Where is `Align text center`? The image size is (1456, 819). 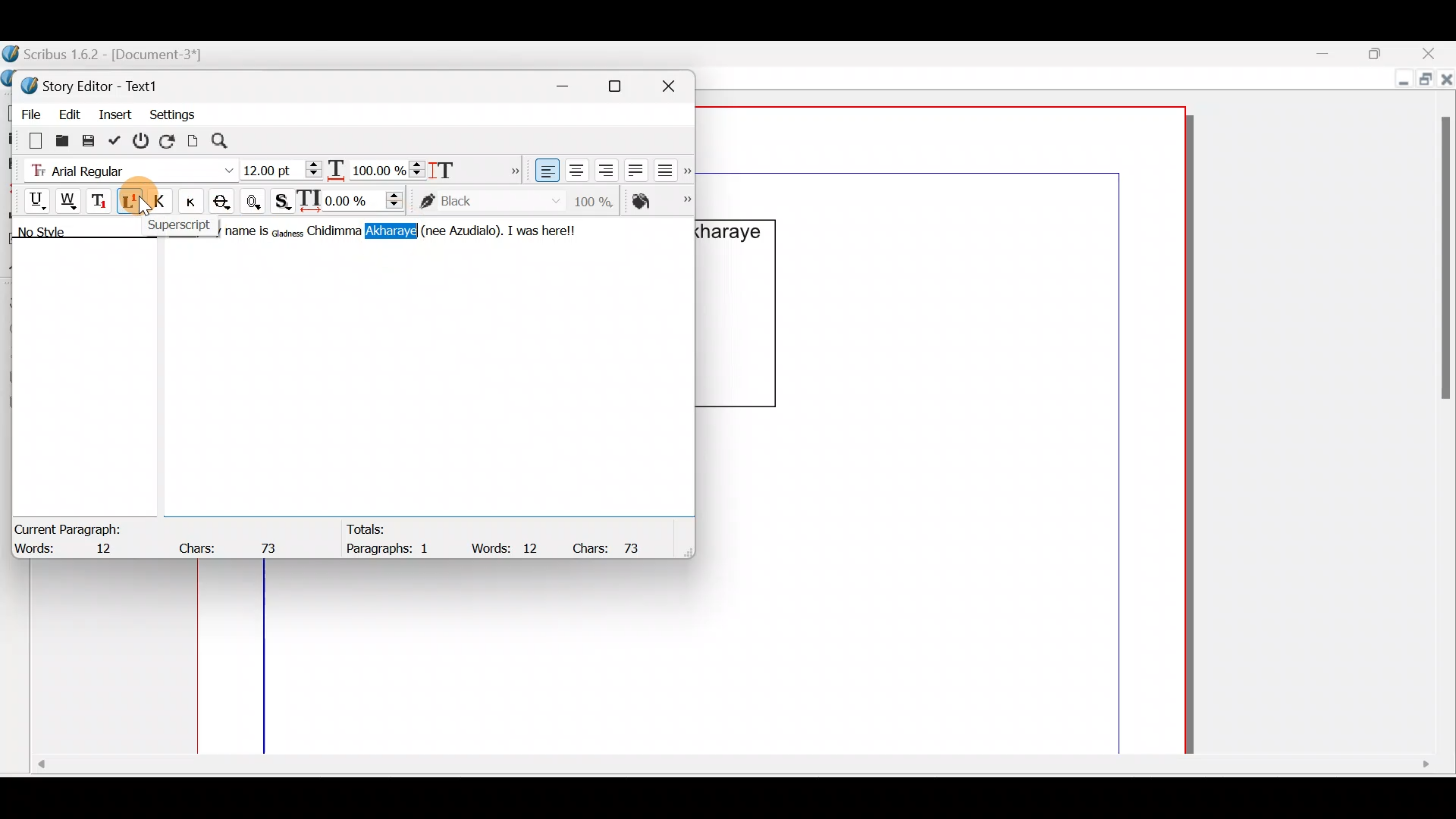 Align text center is located at coordinates (575, 168).